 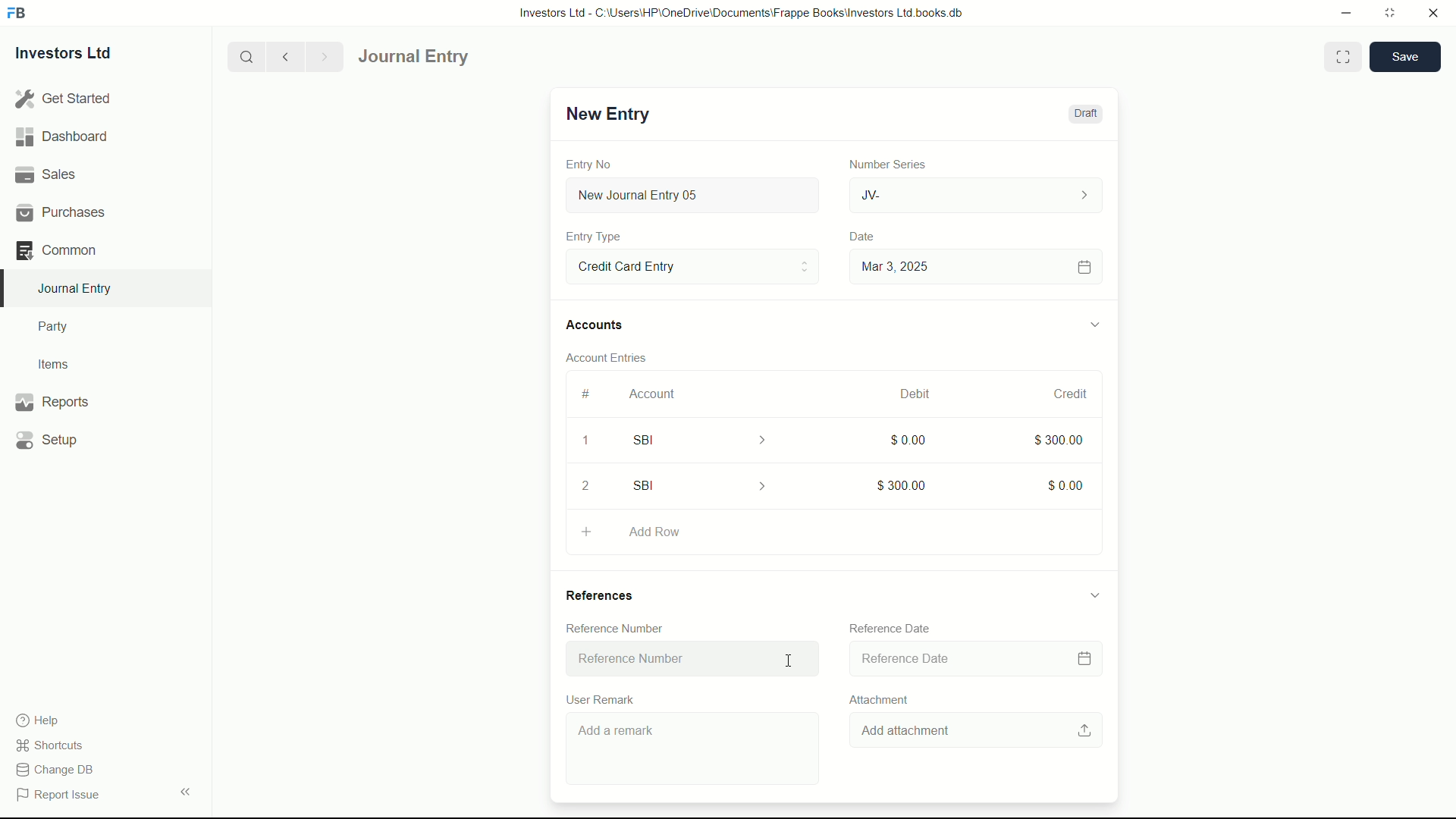 I want to click on Credit, so click(x=1064, y=394).